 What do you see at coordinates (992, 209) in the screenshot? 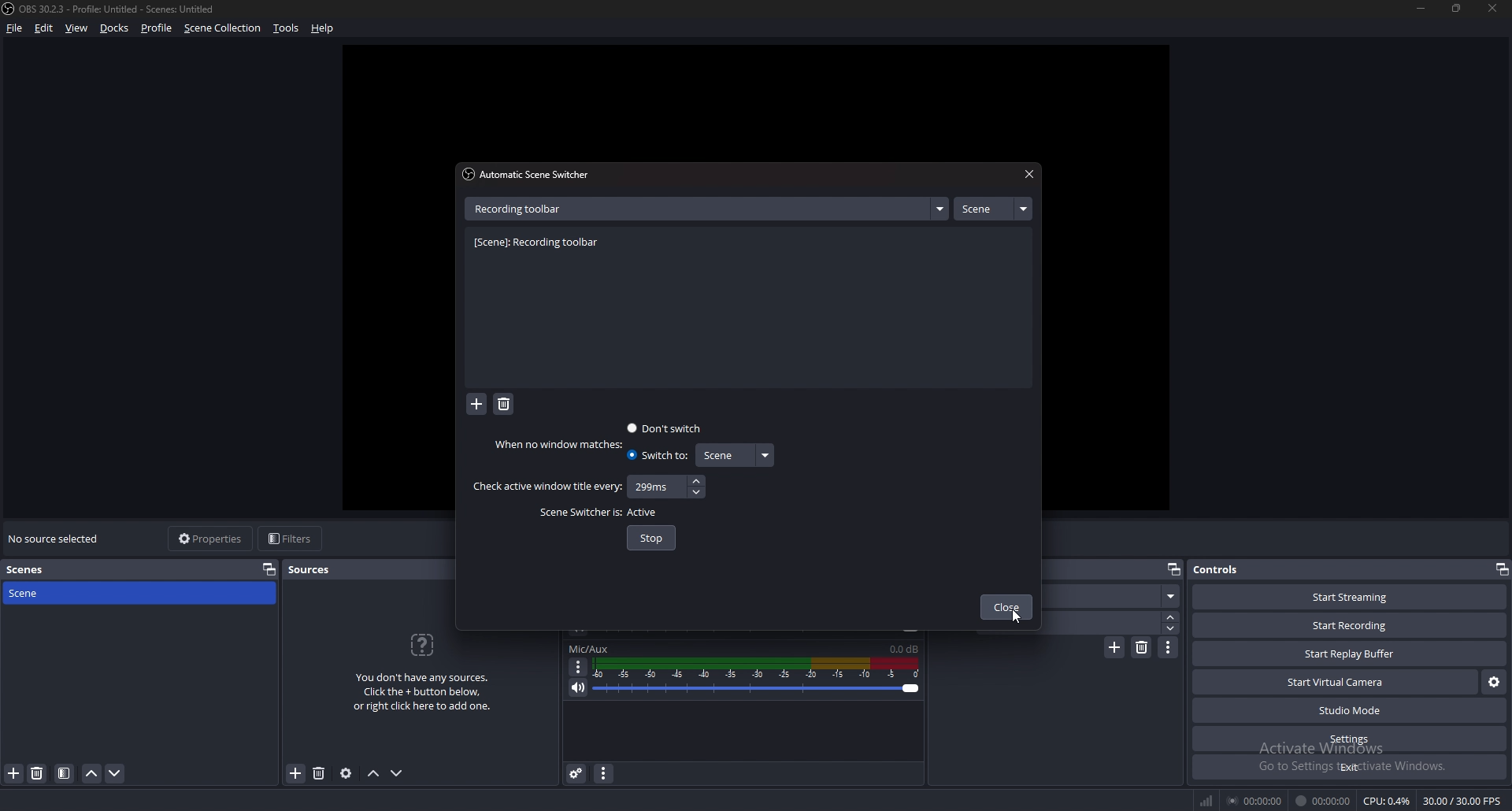
I see `scene` at bounding box center [992, 209].